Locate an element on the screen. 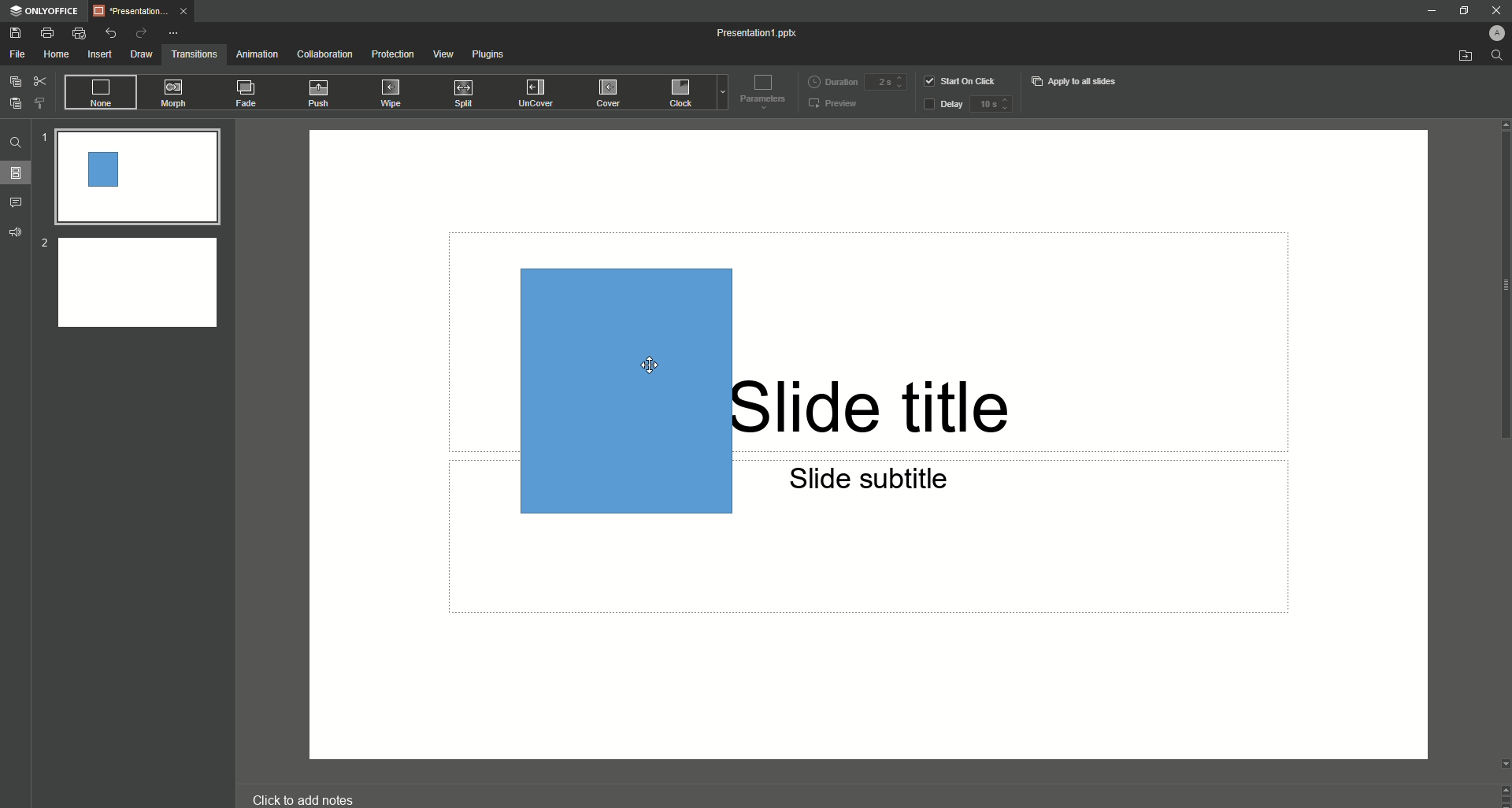 This screenshot has height=808, width=1512. Open from file is located at coordinates (1458, 55).